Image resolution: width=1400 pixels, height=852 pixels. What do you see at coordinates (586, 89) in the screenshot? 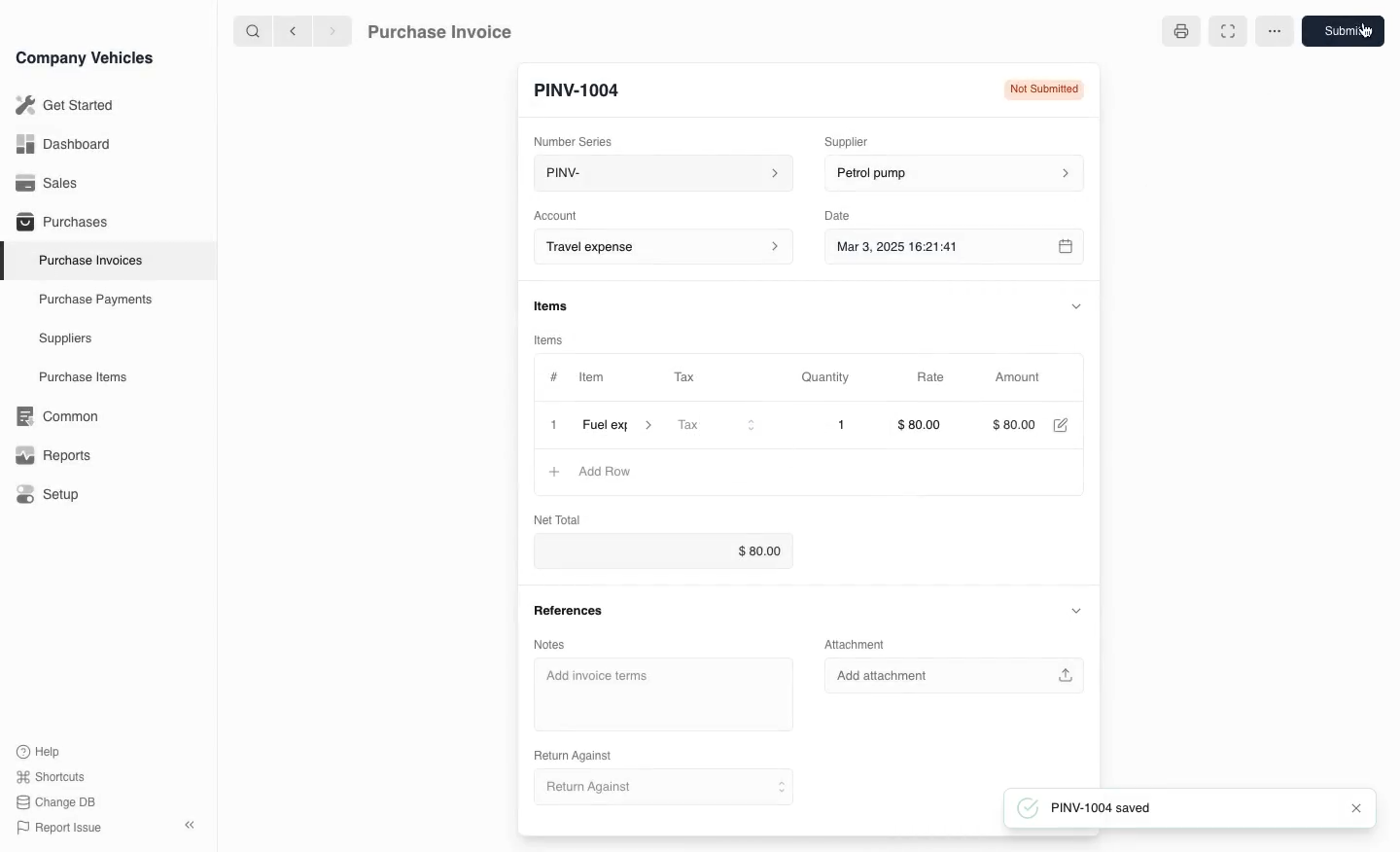
I see `New Entry` at bounding box center [586, 89].